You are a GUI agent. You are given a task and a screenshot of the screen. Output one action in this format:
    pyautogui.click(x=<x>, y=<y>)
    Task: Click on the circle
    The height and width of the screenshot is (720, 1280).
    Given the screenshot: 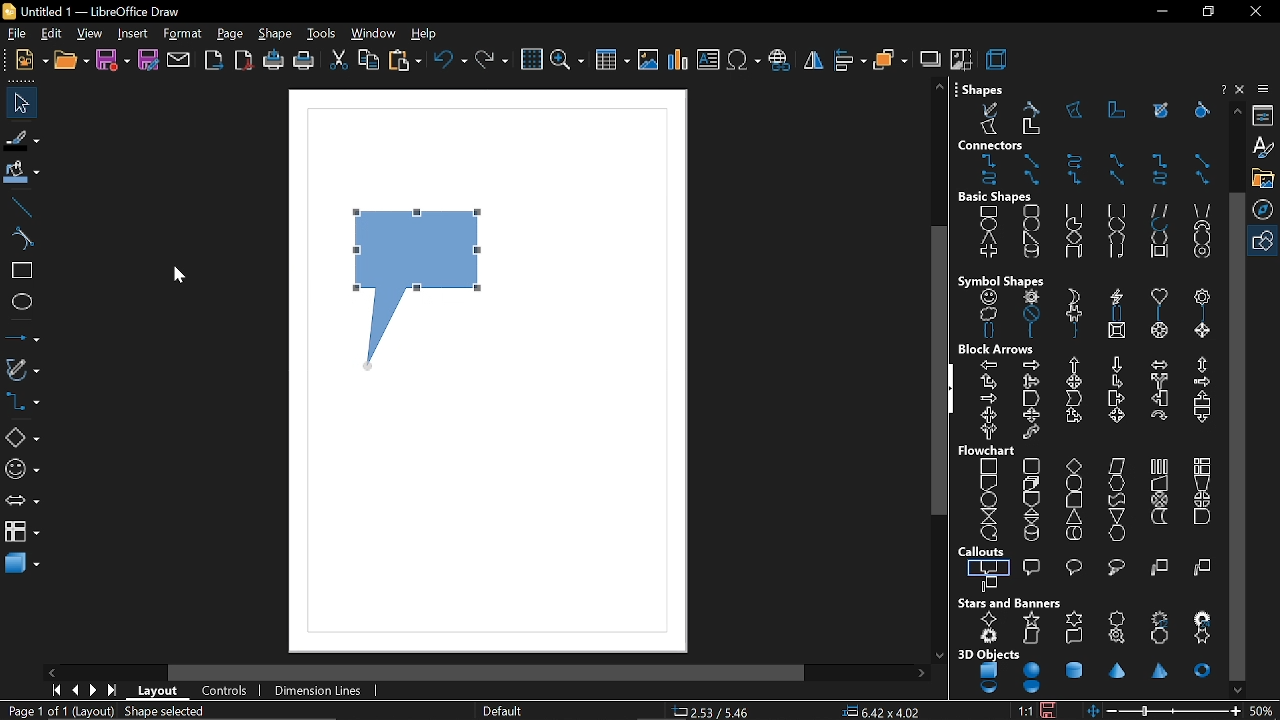 What is the action you would take?
    pyautogui.click(x=1032, y=224)
    